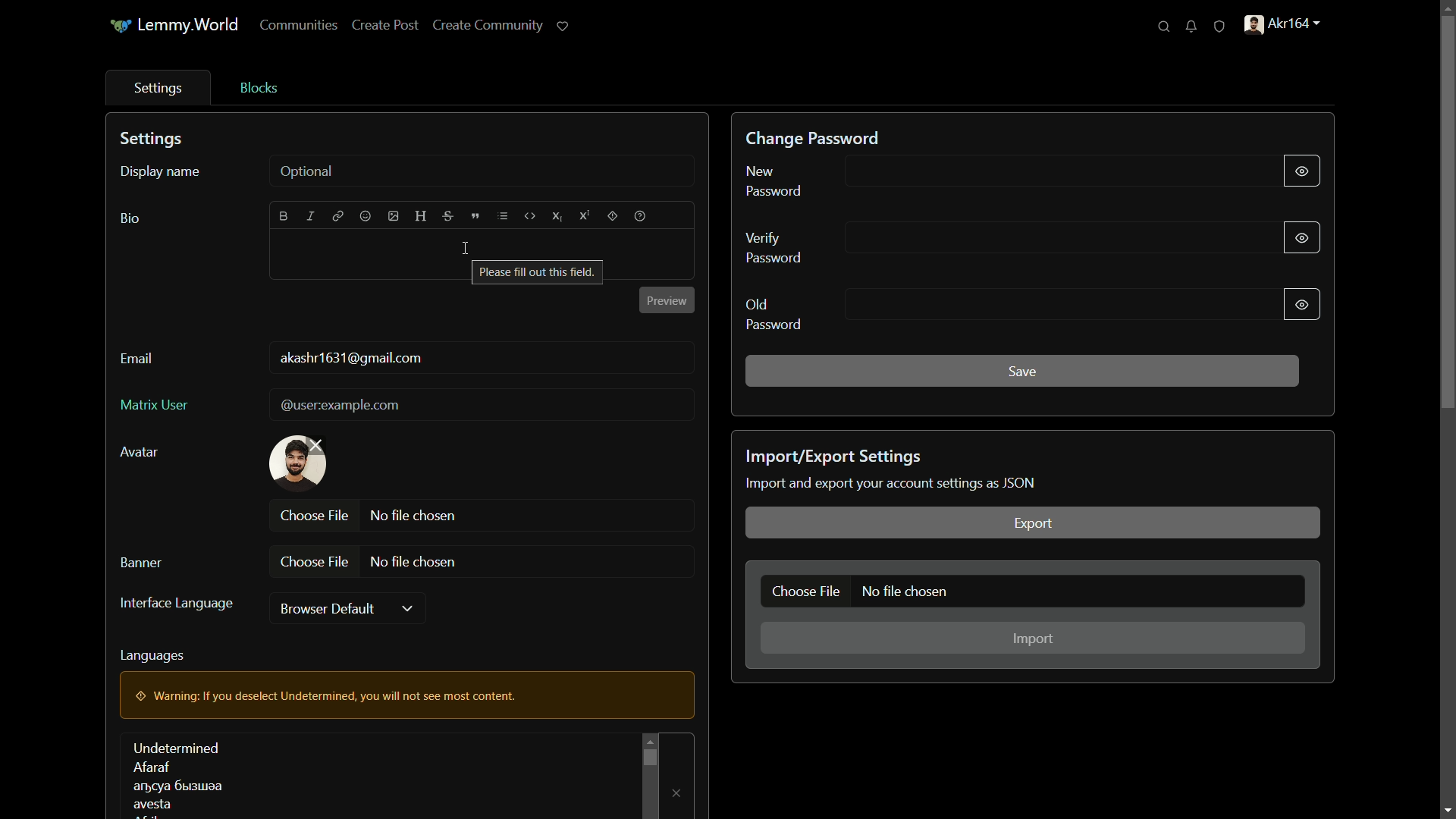  What do you see at coordinates (284, 217) in the screenshot?
I see `bold` at bounding box center [284, 217].